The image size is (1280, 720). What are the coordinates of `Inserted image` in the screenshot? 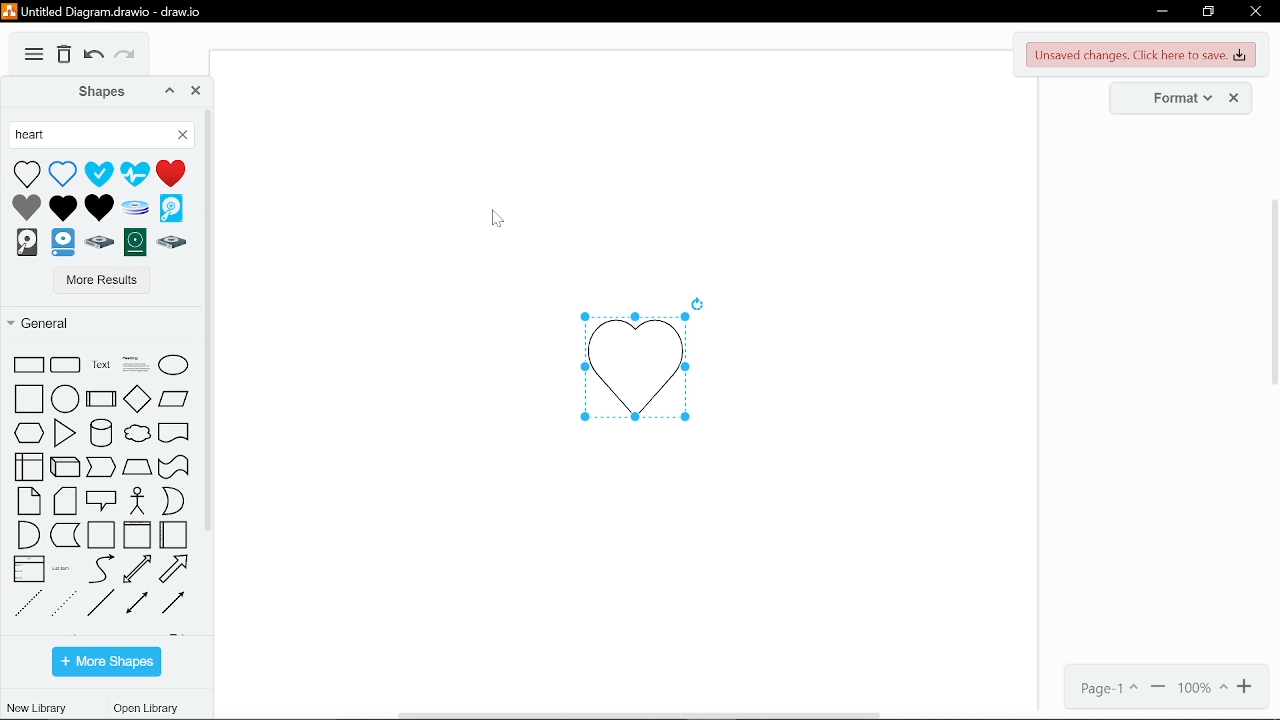 It's located at (626, 370).